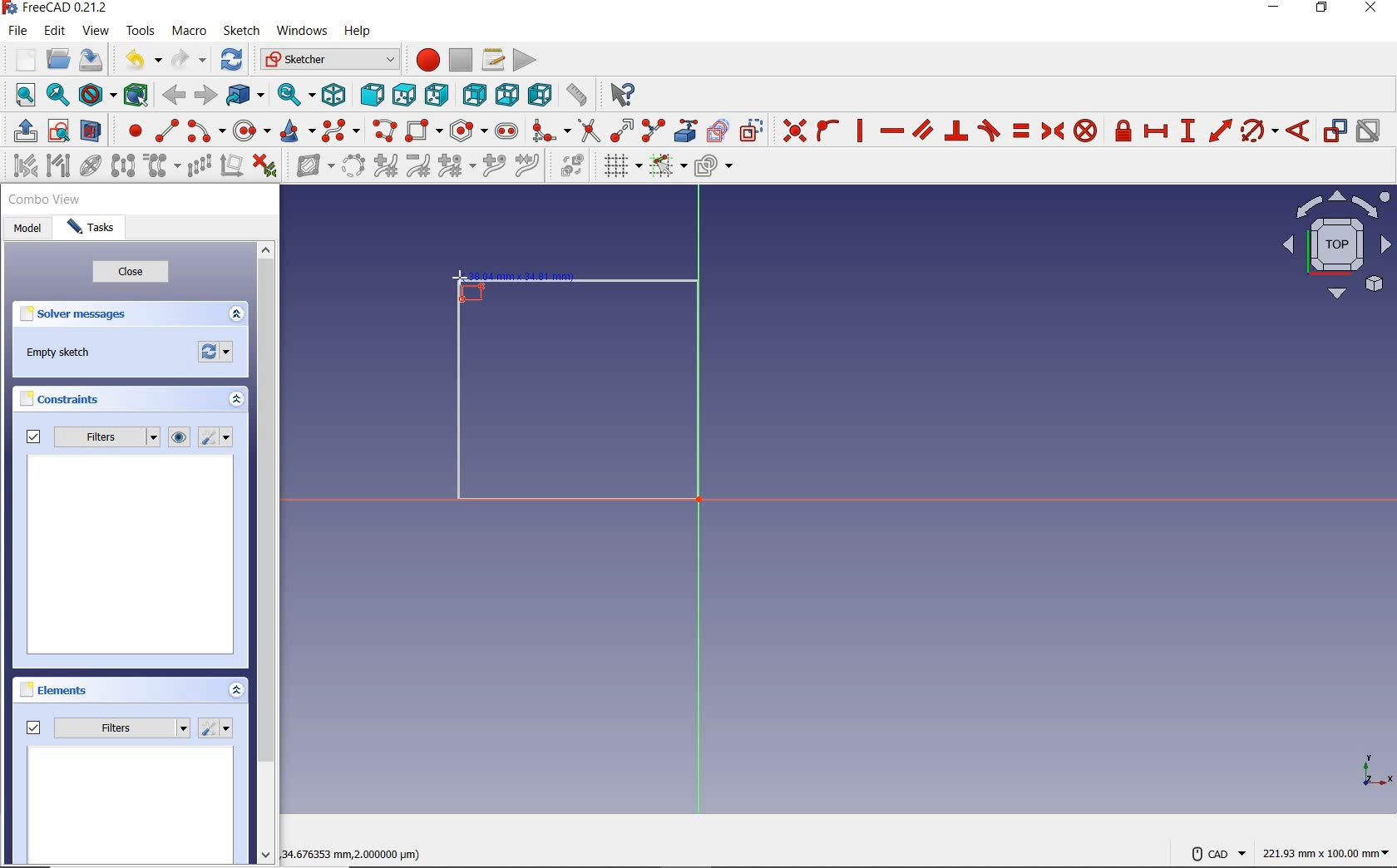 This screenshot has width=1397, height=868. I want to click on toggle driving, so click(1335, 131).